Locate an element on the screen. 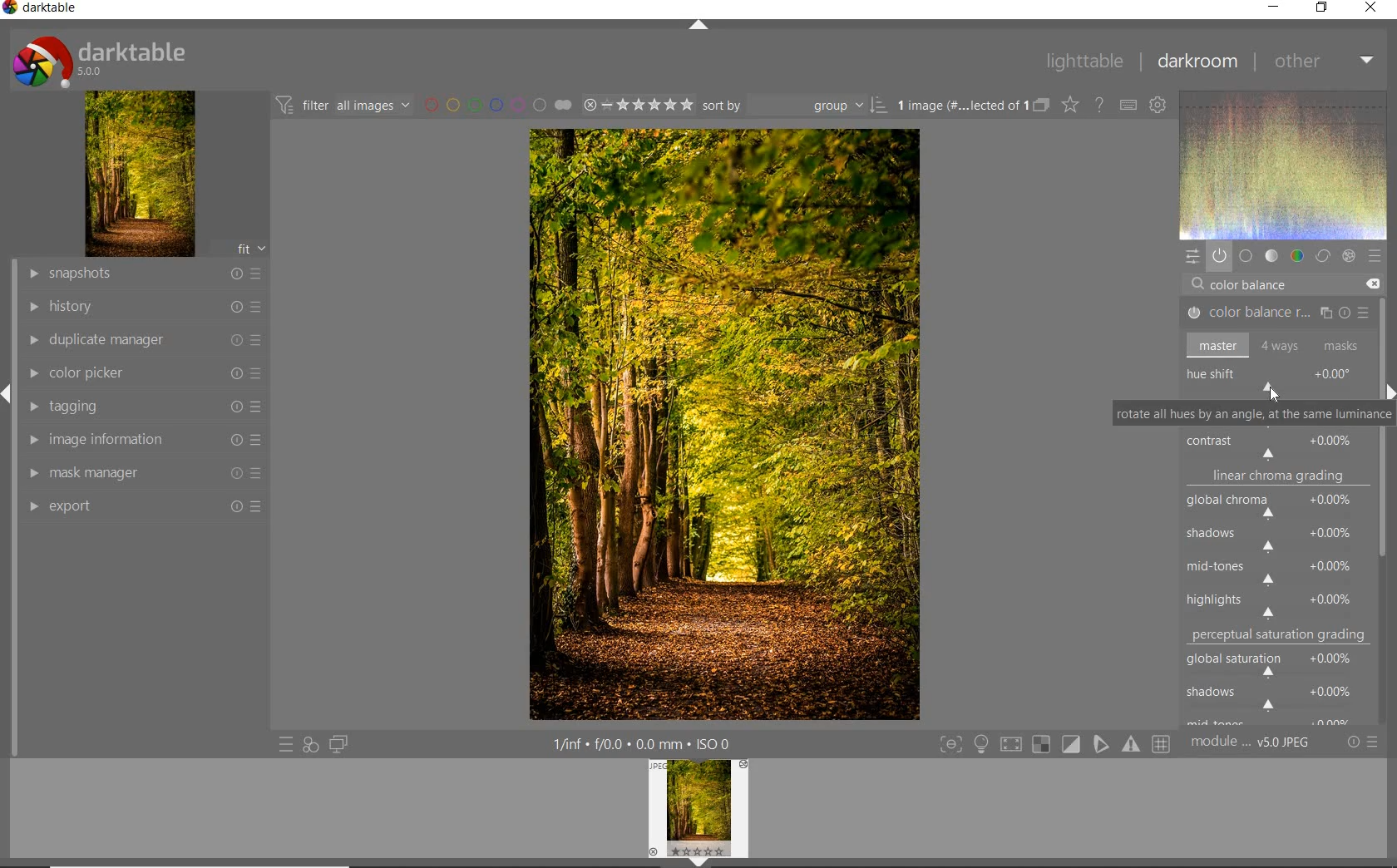 The width and height of the screenshot is (1397, 868). sort is located at coordinates (794, 106).